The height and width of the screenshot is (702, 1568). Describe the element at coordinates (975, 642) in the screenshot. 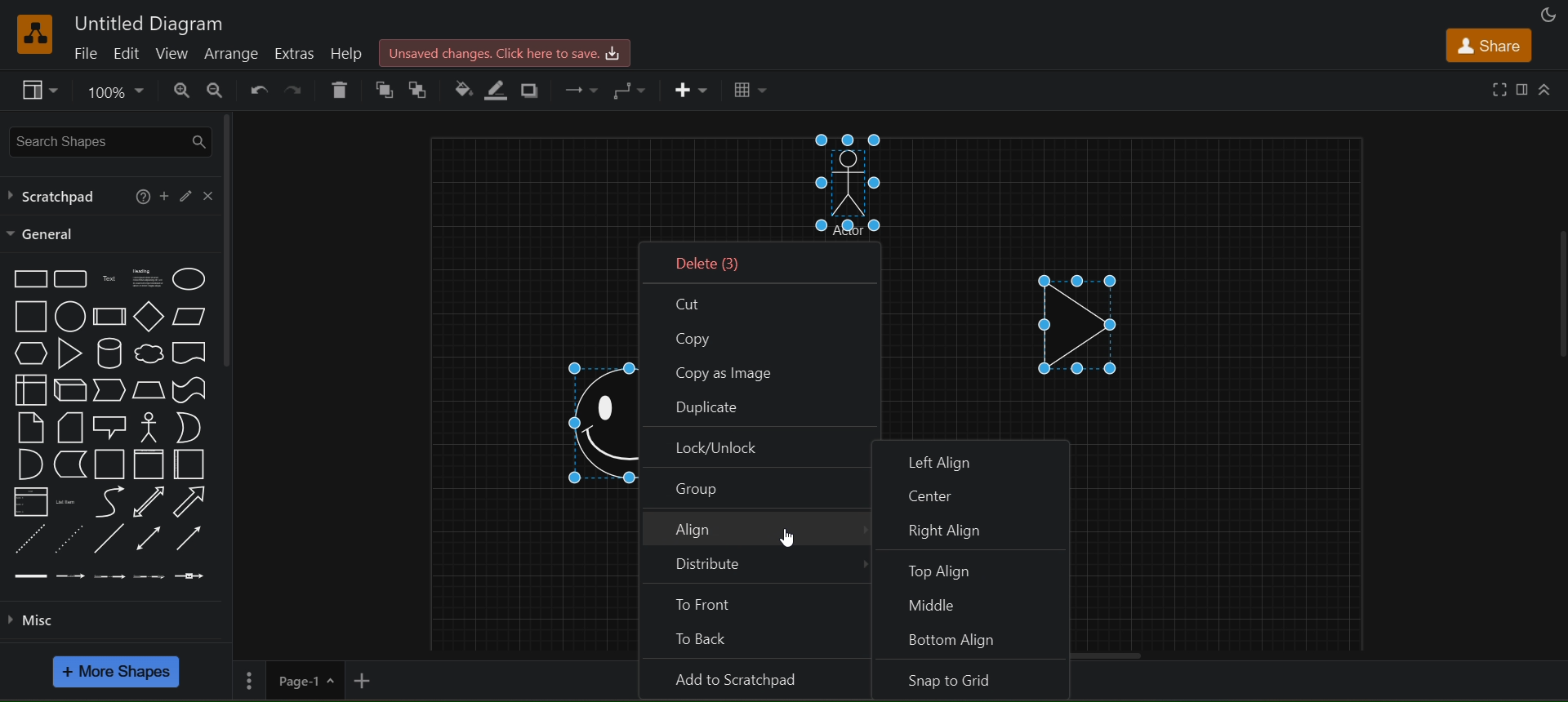

I see `bottom align` at that location.